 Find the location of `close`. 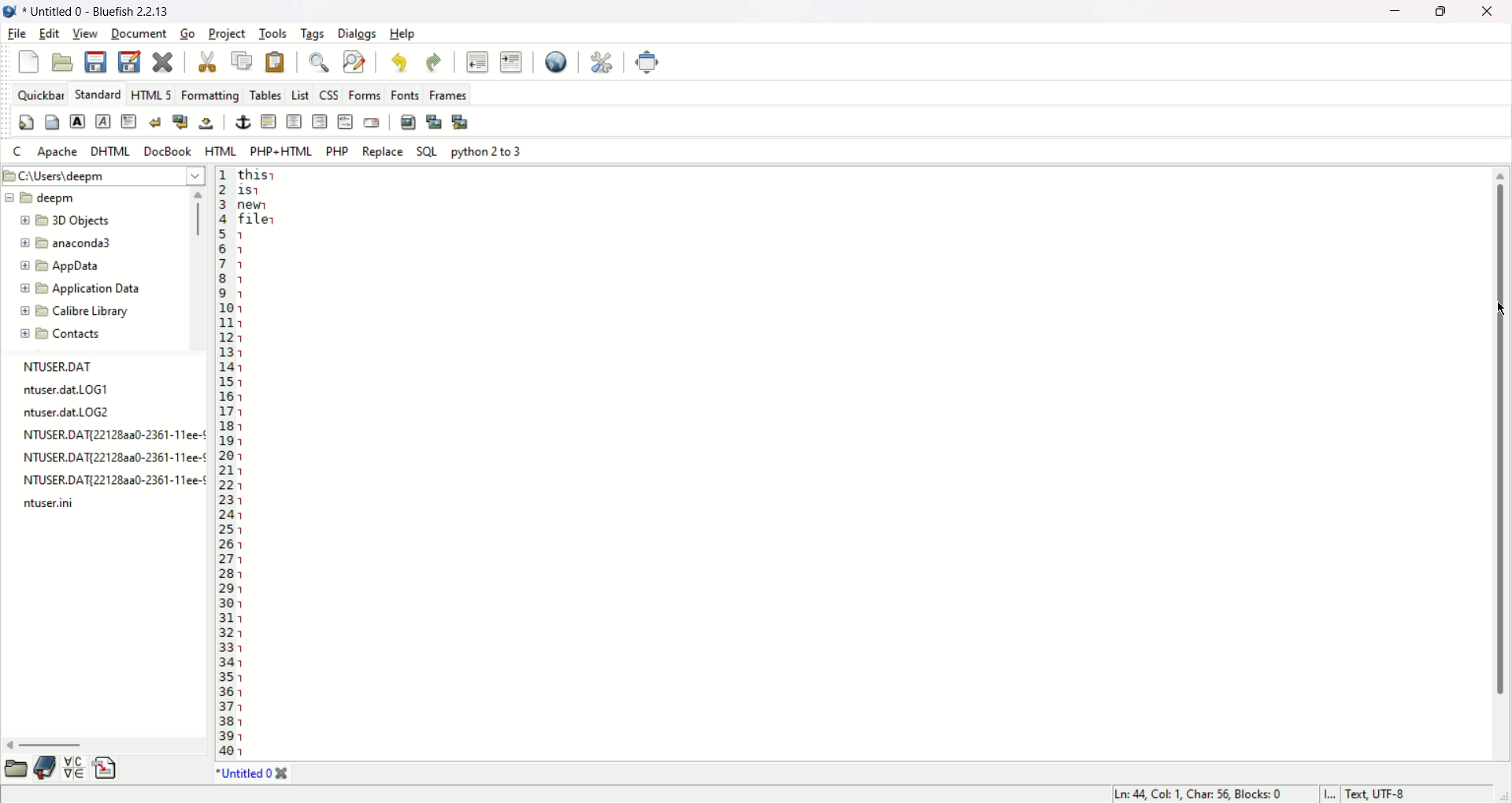

close is located at coordinates (1488, 10).